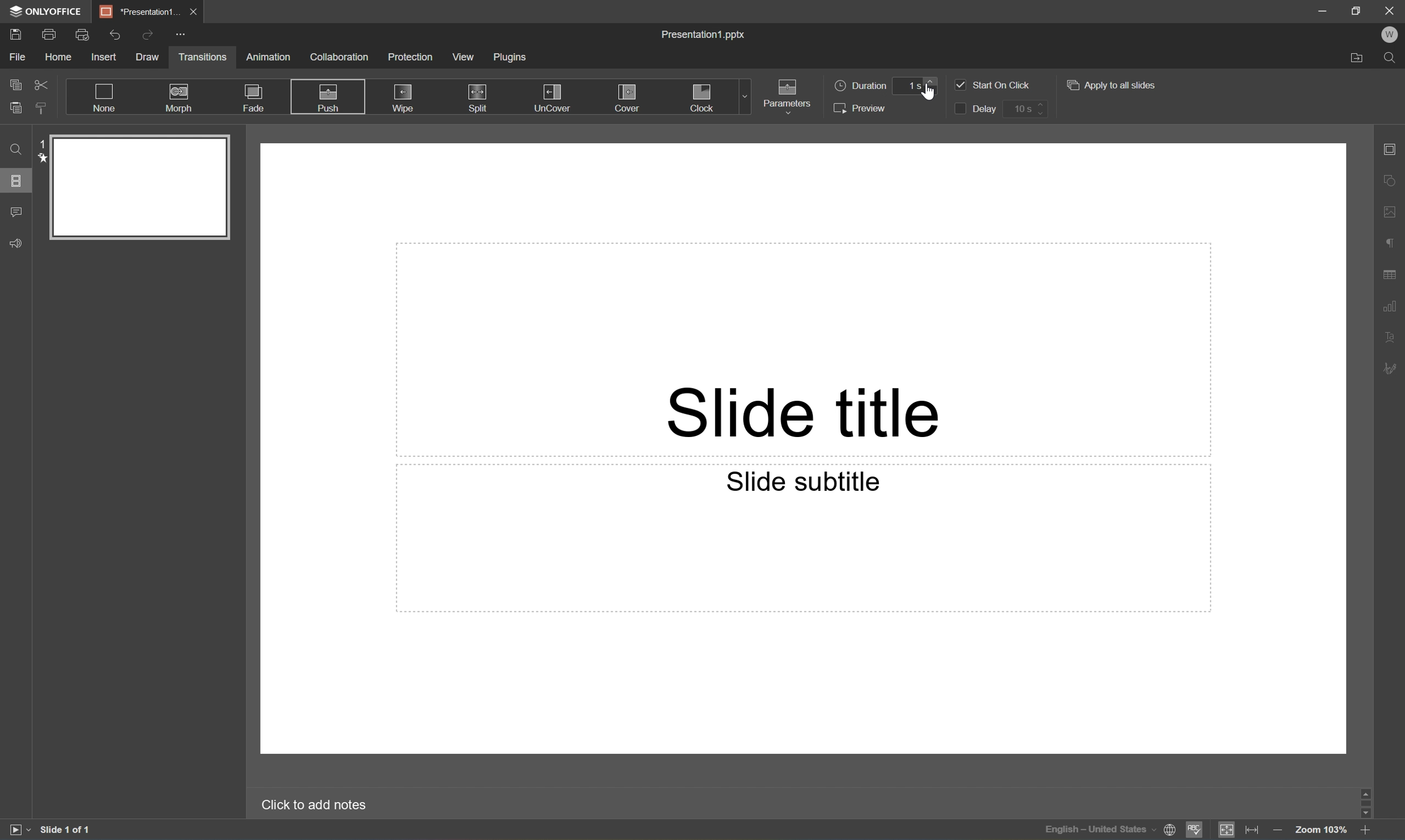 Image resolution: width=1405 pixels, height=840 pixels. What do you see at coordinates (140, 11) in the screenshot?
I see `Presentation1...` at bounding box center [140, 11].